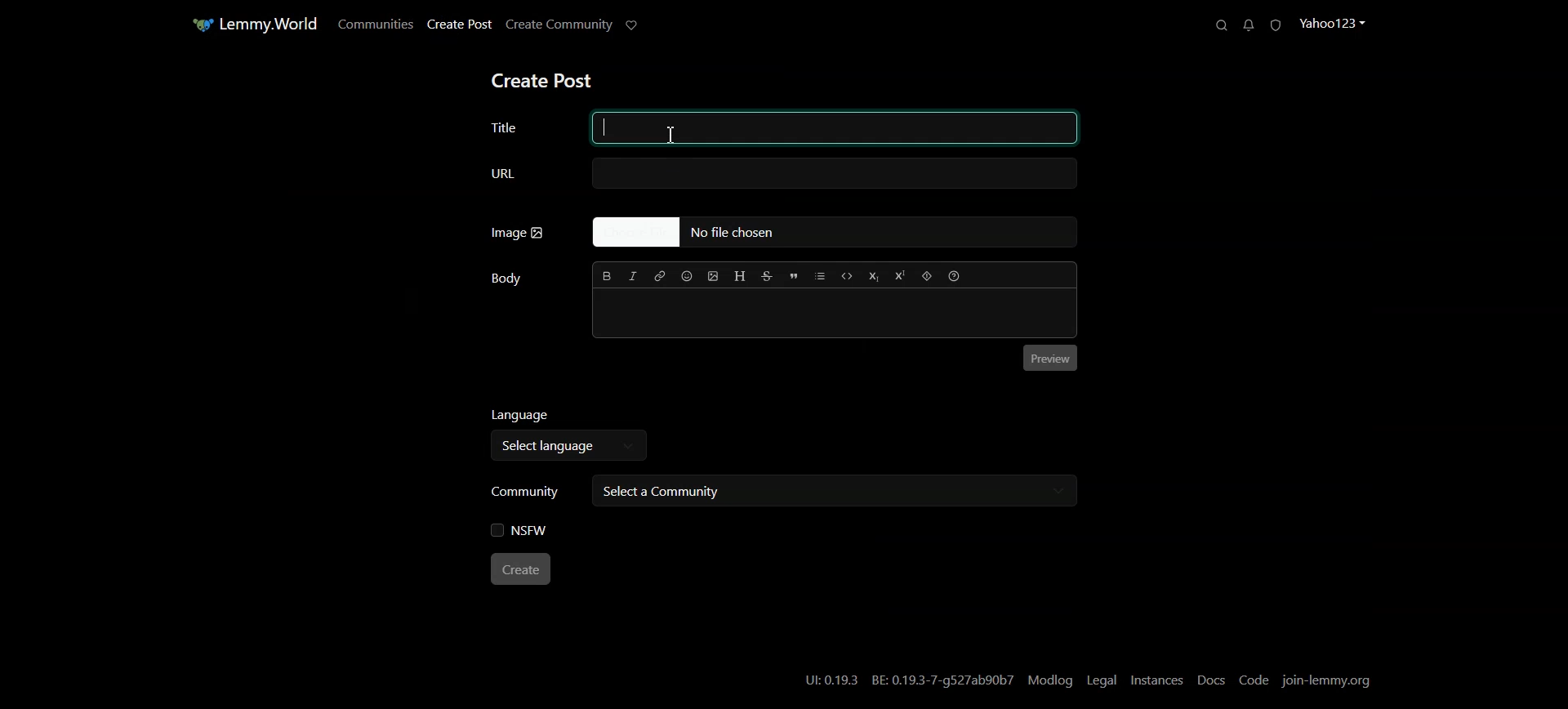 The image size is (1568, 709). Describe the element at coordinates (819, 276) in the screenshot. I see `List` at that location.